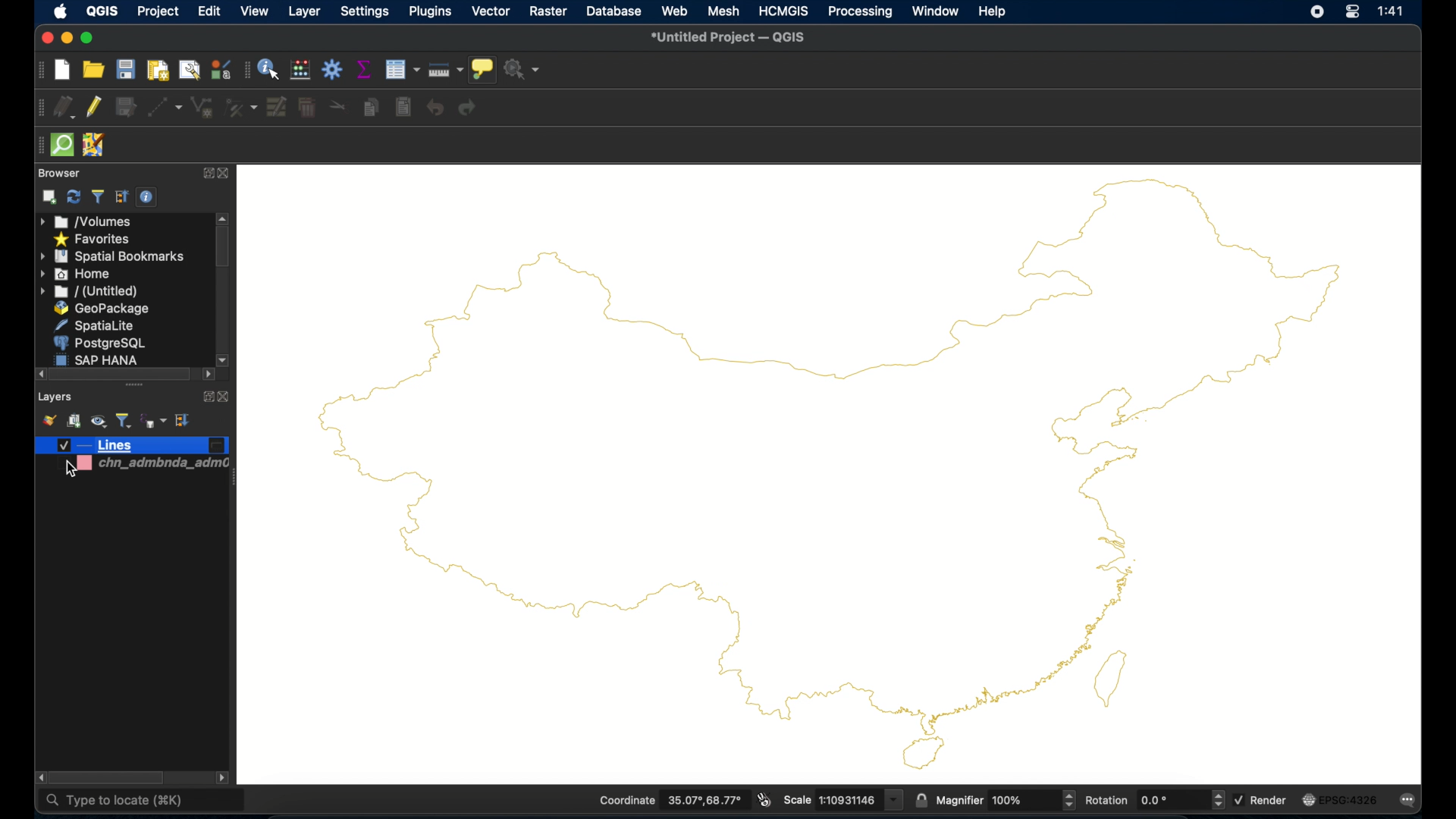  What do you see at coordinates (333, 69) in the screenshot?
I see `toolbox` at bounding box center [333, 69].